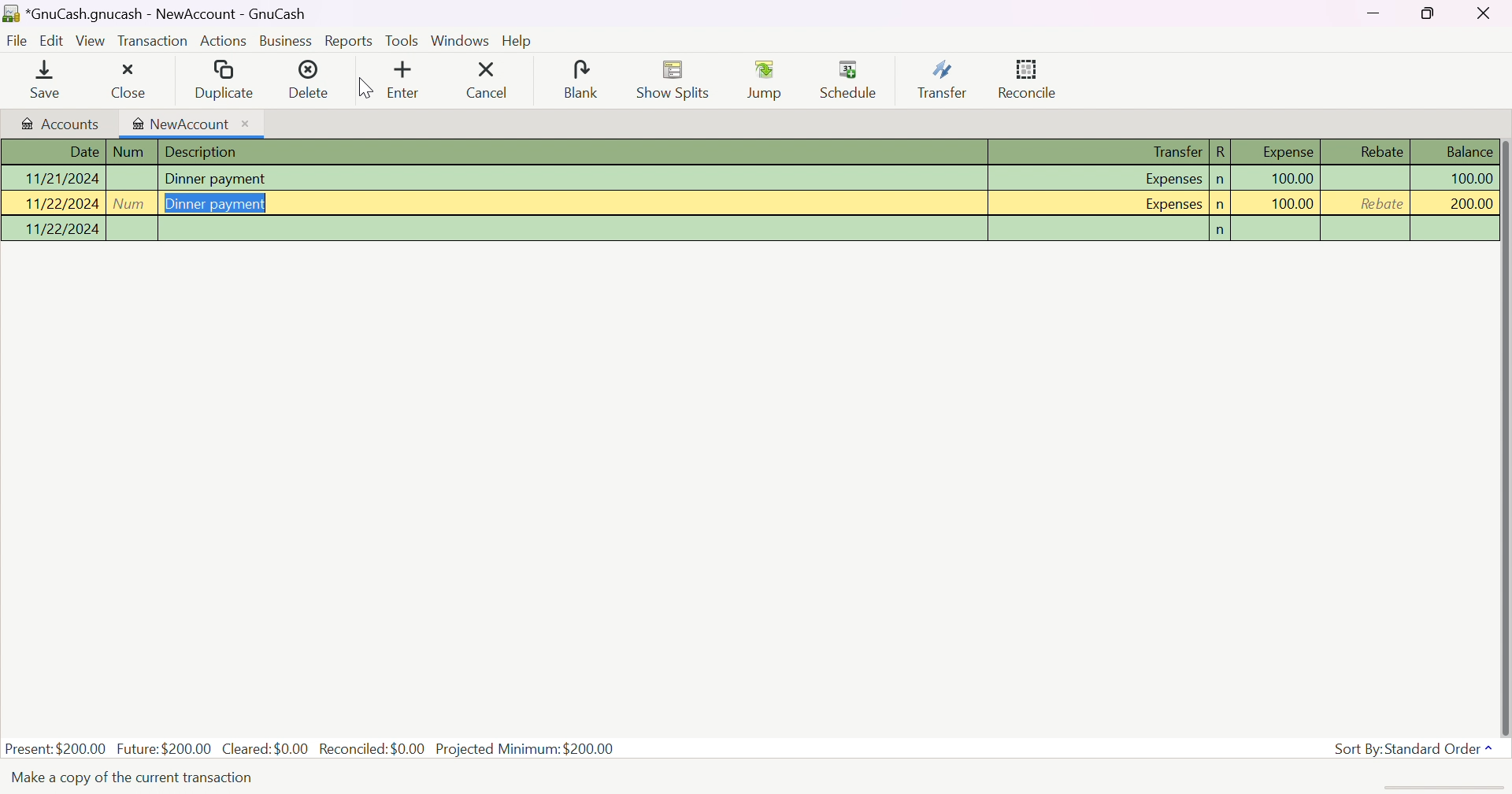 The image size is (1512, 794). What do you see at coordinates (59, 123) in the screenshot?
I see `Accounts` at bounding box center [59, 123].